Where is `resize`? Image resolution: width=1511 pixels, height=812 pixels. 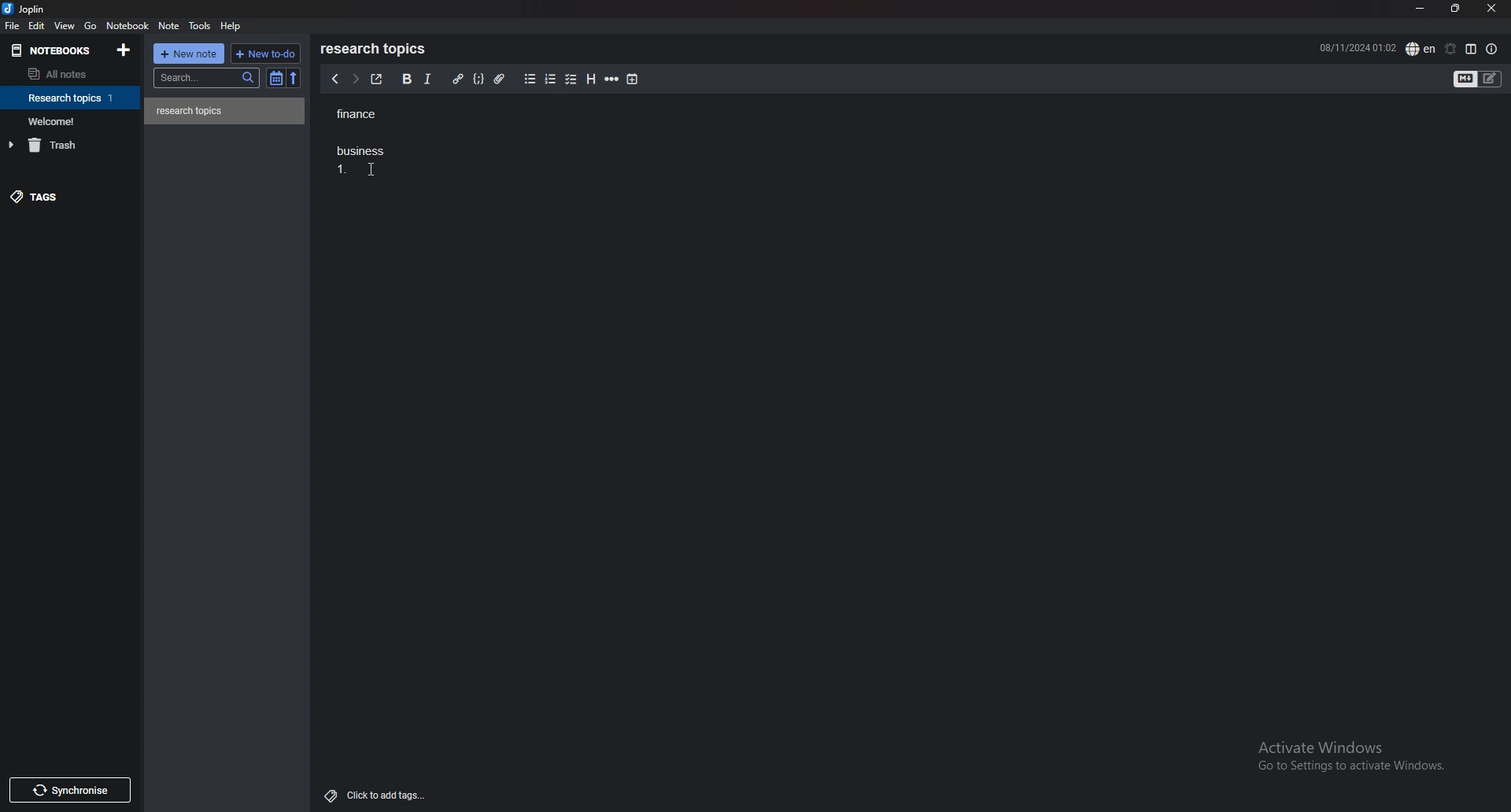 resize is located at coordinates (1454, 8).